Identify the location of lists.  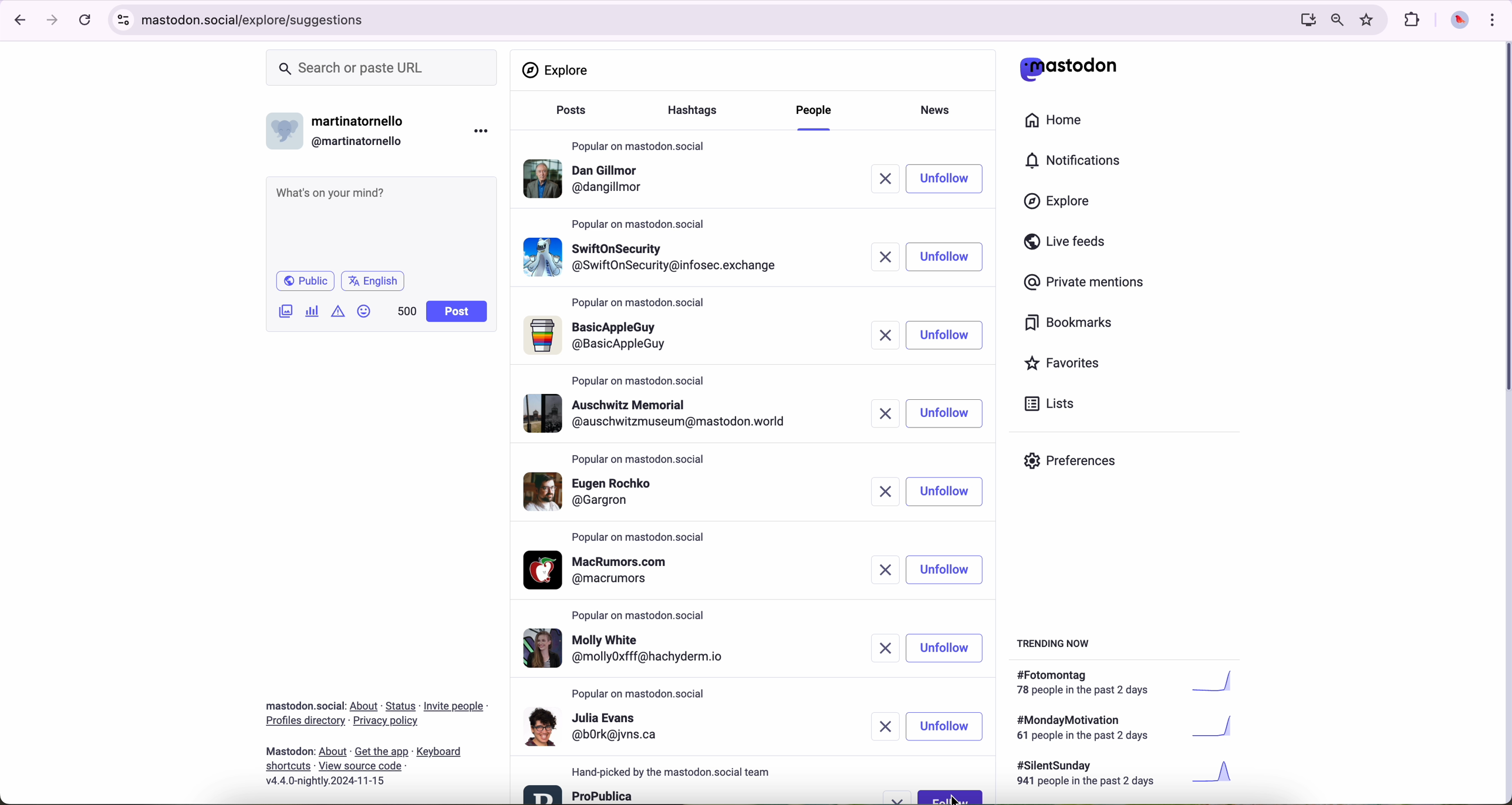
(1045, 403).